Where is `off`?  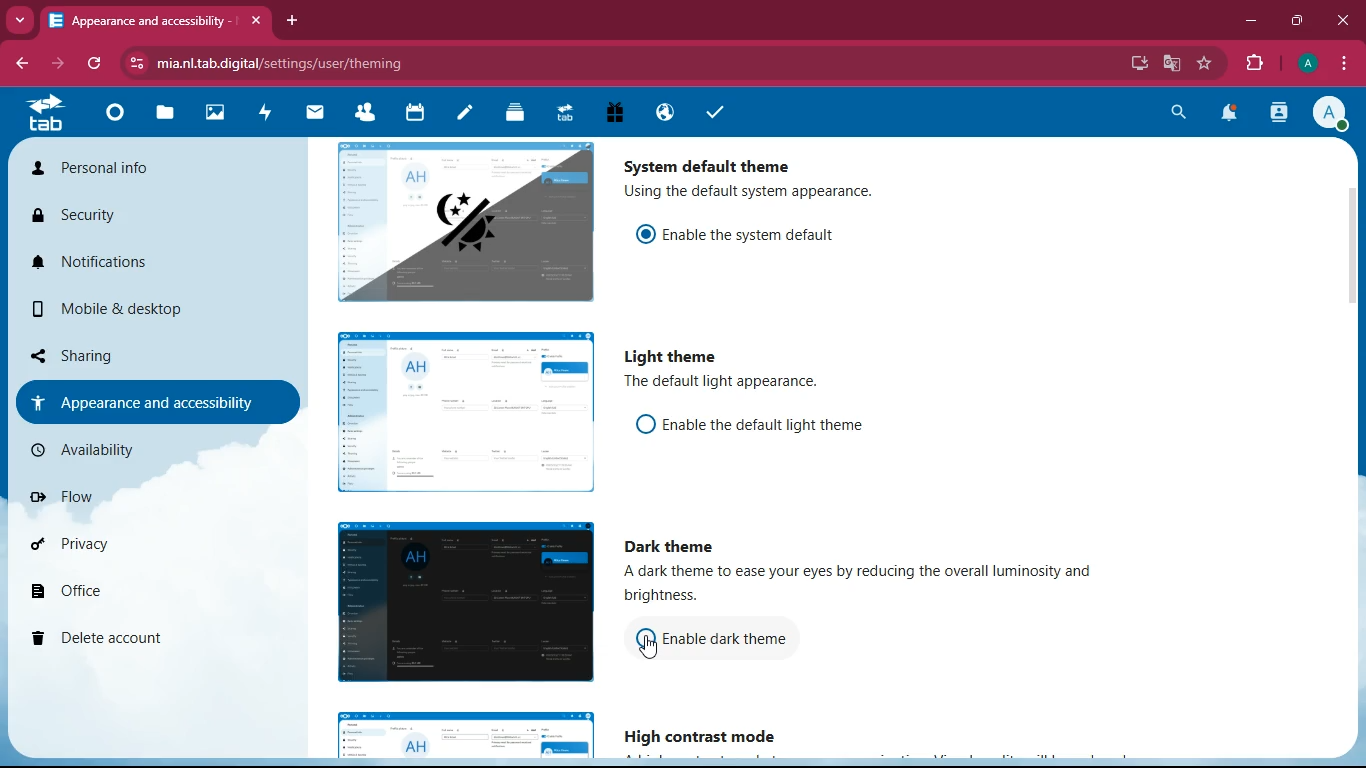 off is located at coordinates (645, 638).